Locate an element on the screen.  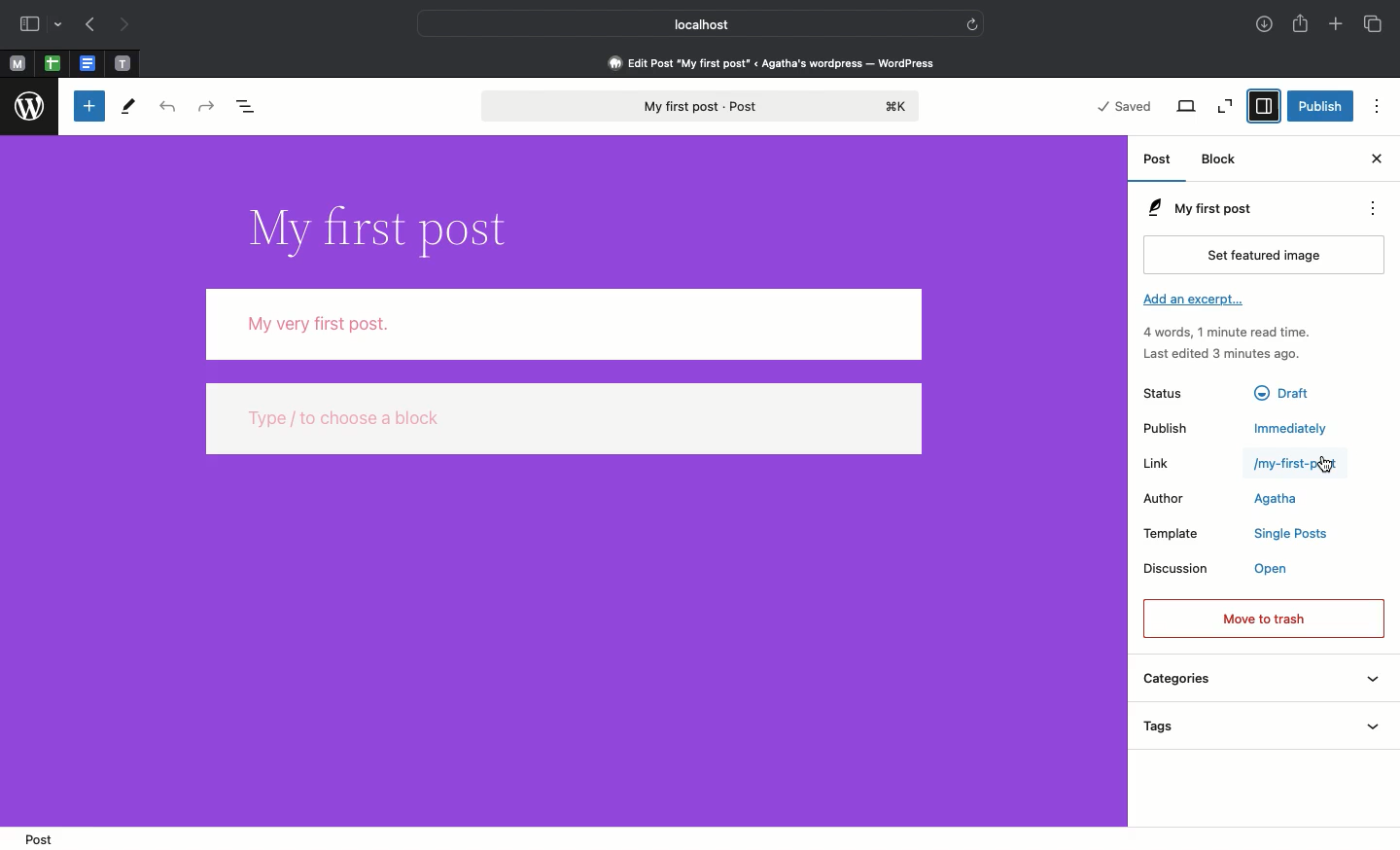
Link is located at coordinates (1163, 463).